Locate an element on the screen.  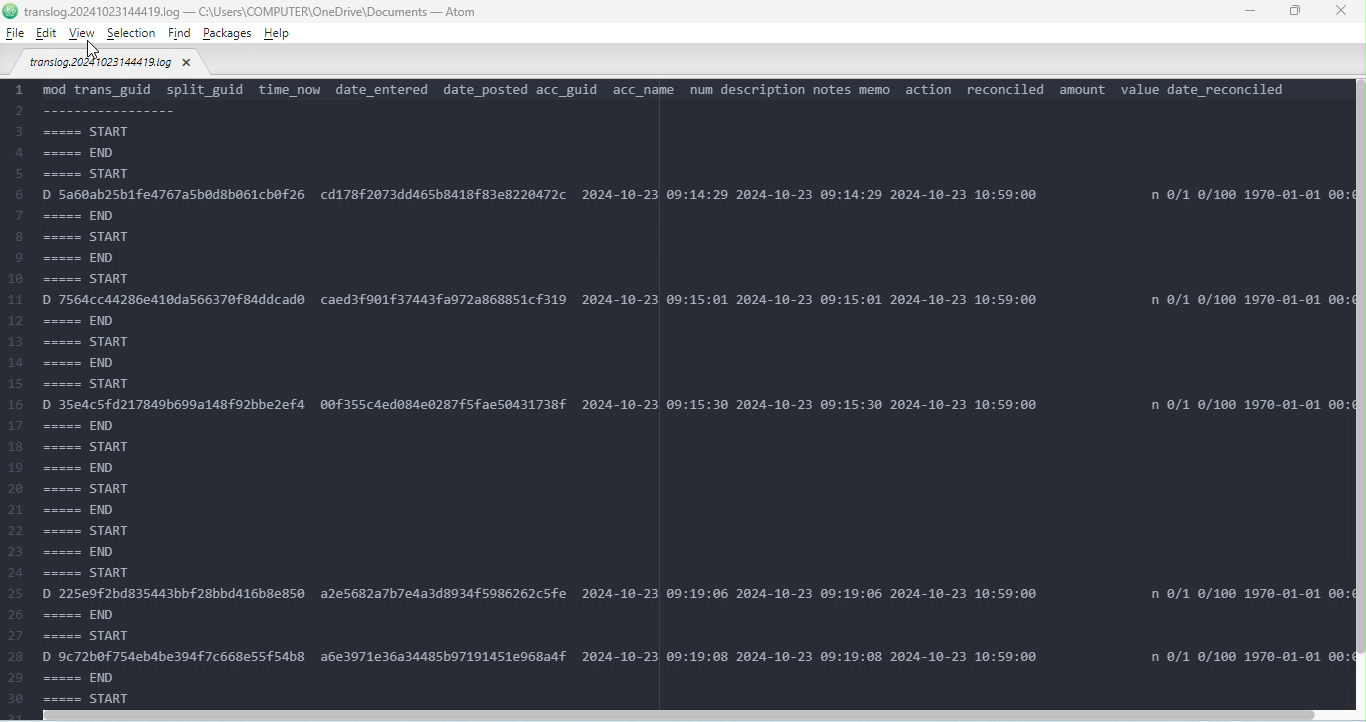
Edit is located at coordinates (46, 34).